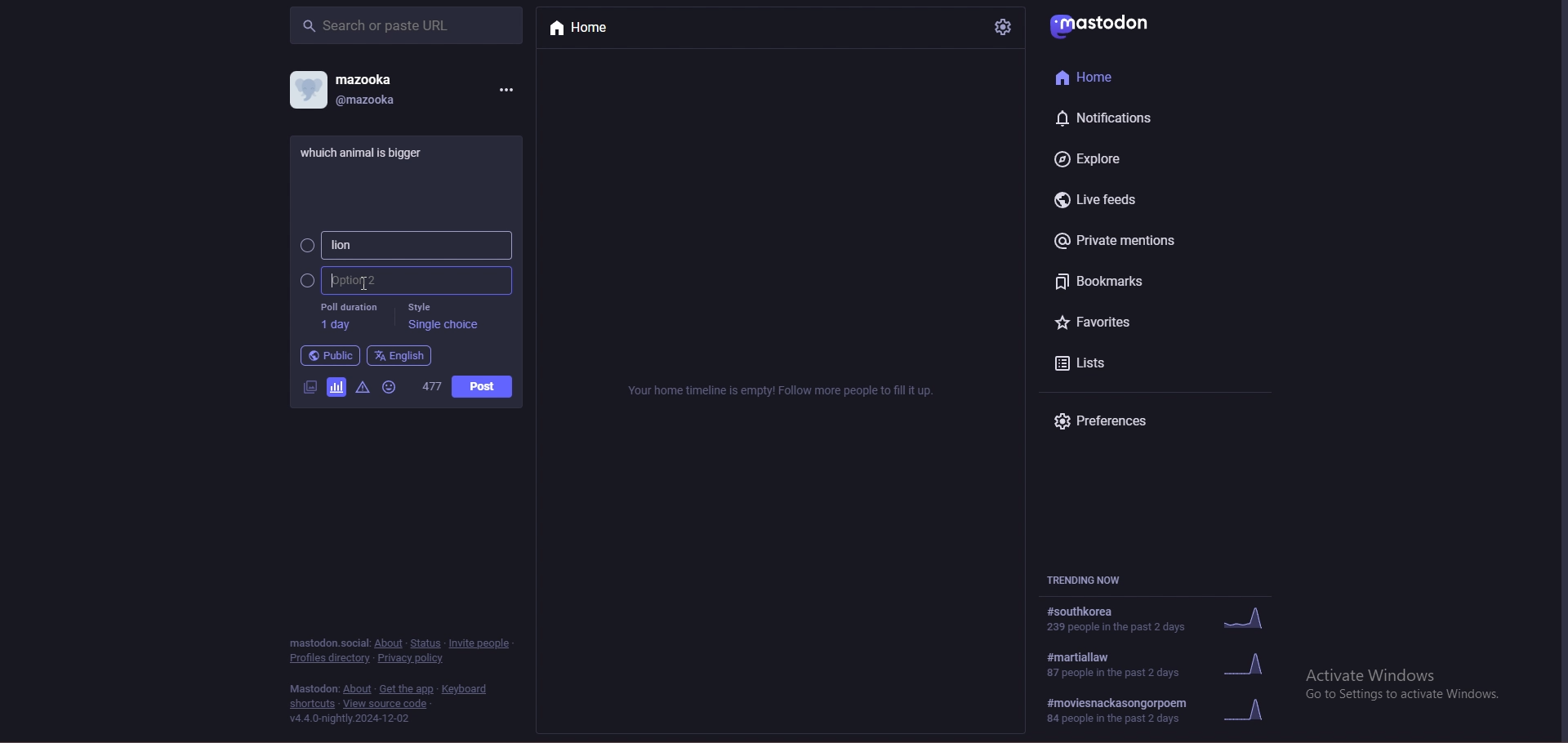 The image size is (1568, 743). I want to click on poll duration, so click(348, 316).